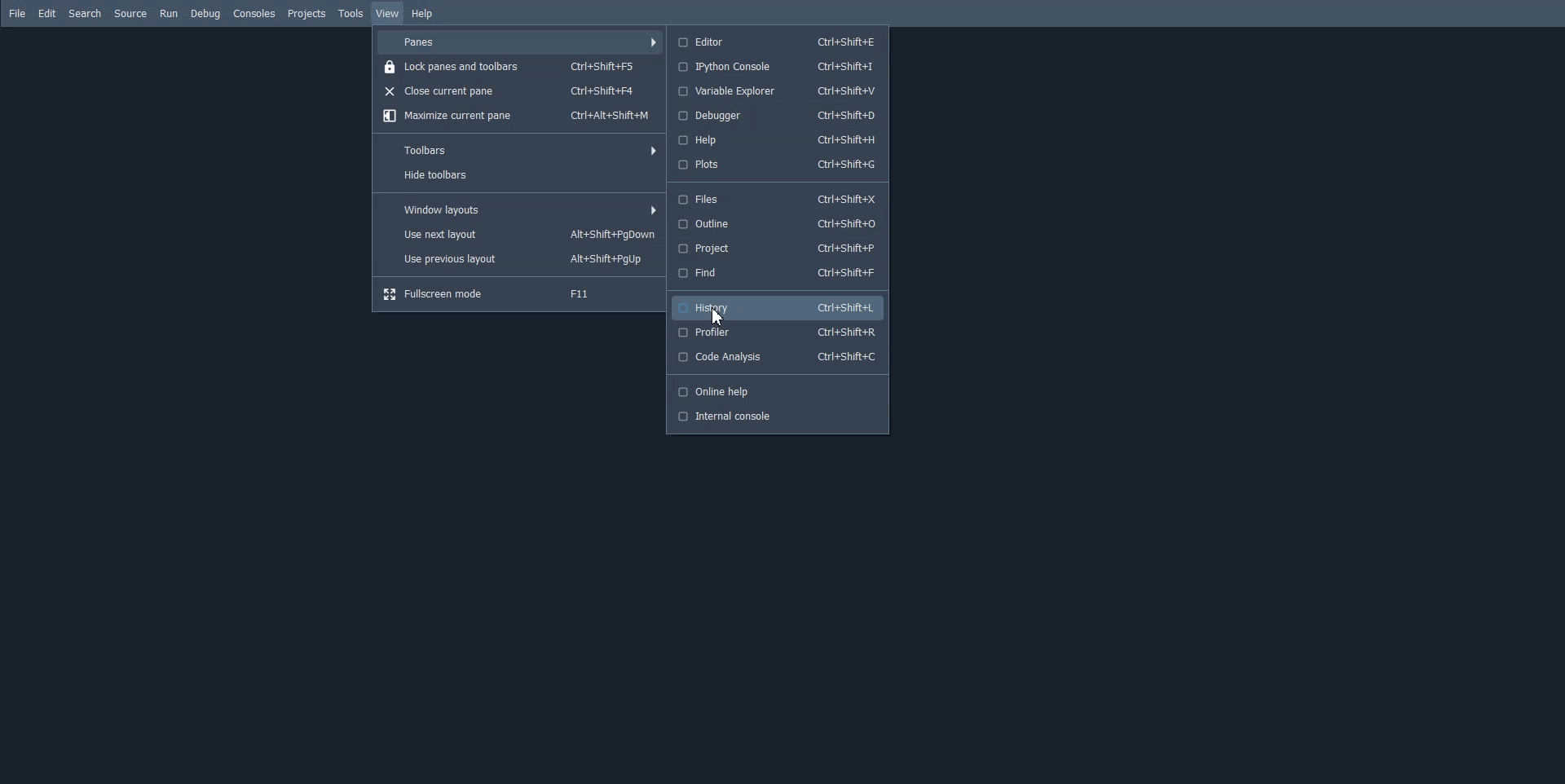  What do you see at coordinates (775, 223) in the screenshot?
I see `Outline` at bounding box center [775, 223].